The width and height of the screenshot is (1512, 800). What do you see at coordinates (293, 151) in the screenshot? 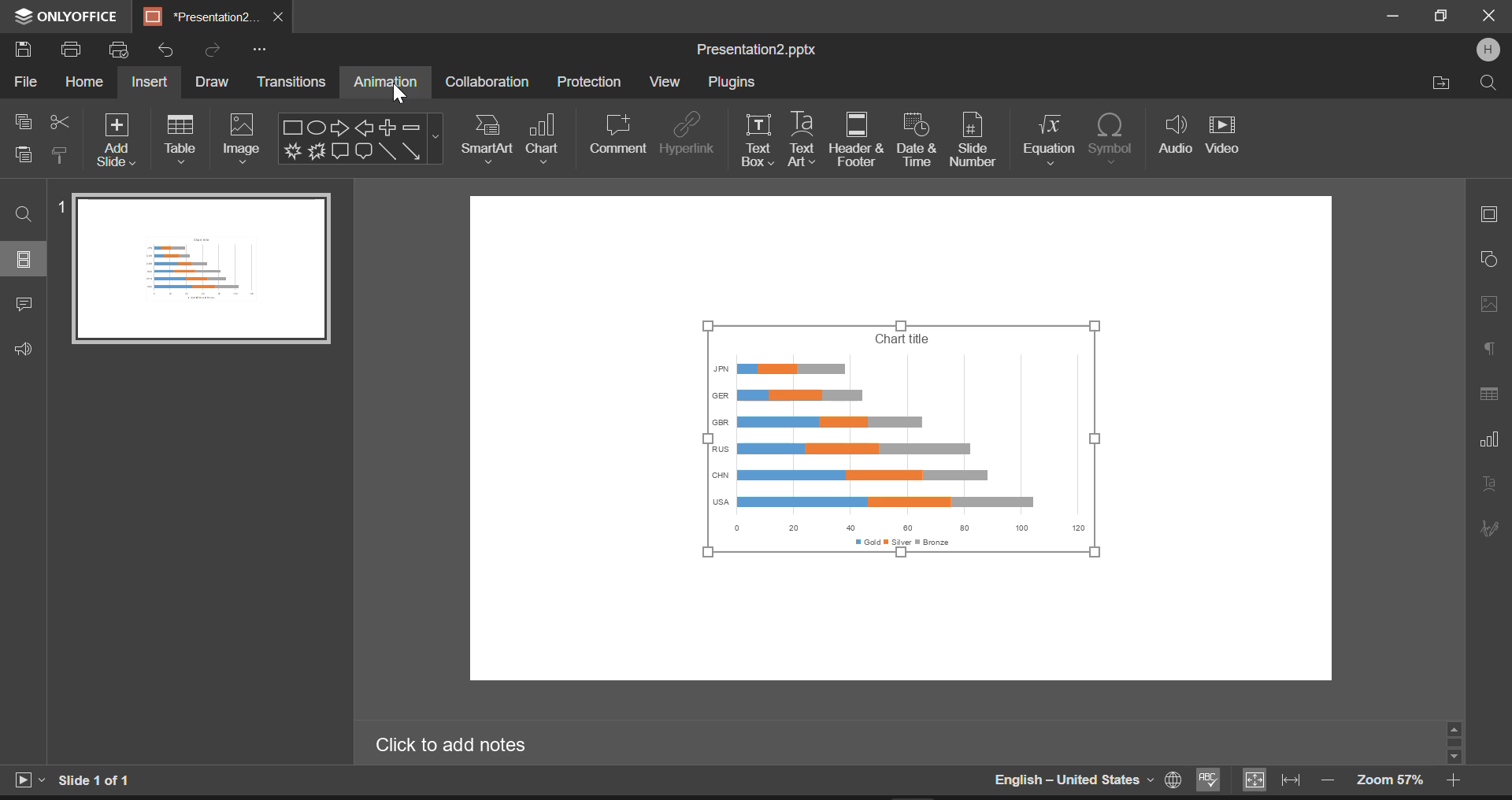
I see `Explosion 1` at bounding box center [293, 151].